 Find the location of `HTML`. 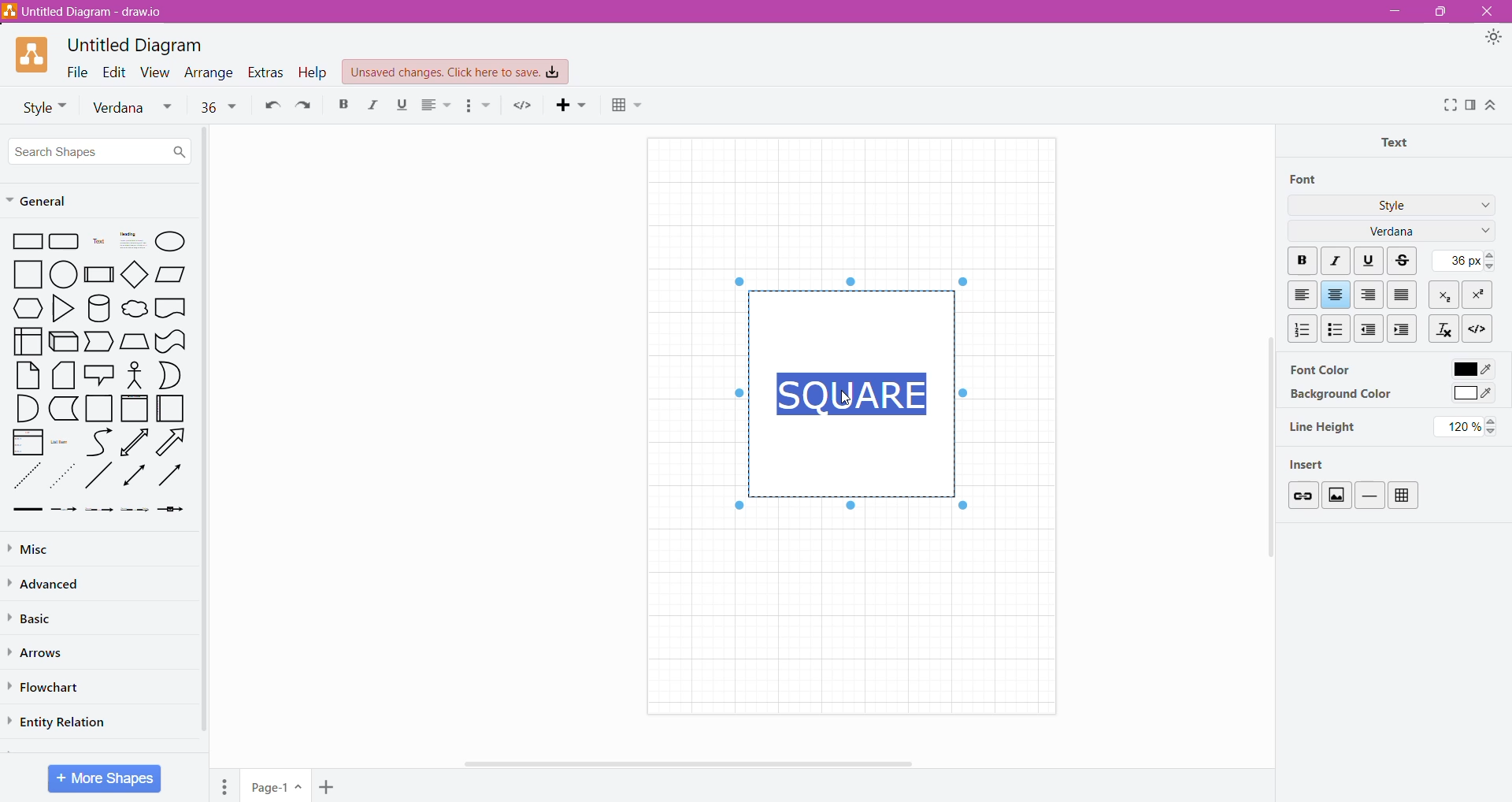

HTML is located at coordinates (523, 105).